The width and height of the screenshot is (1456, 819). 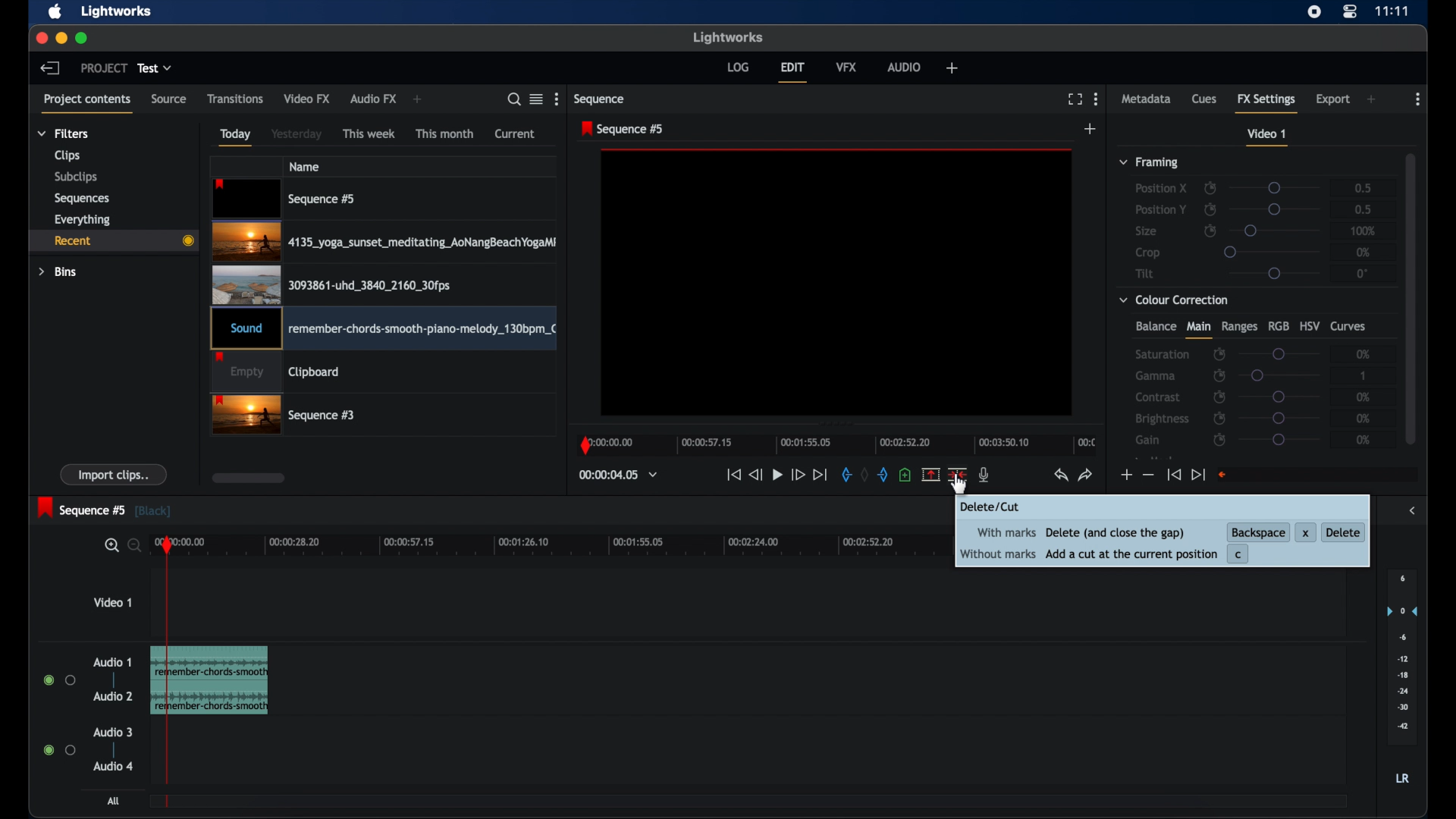 I want to click on everything, so click(x=83, y=220).